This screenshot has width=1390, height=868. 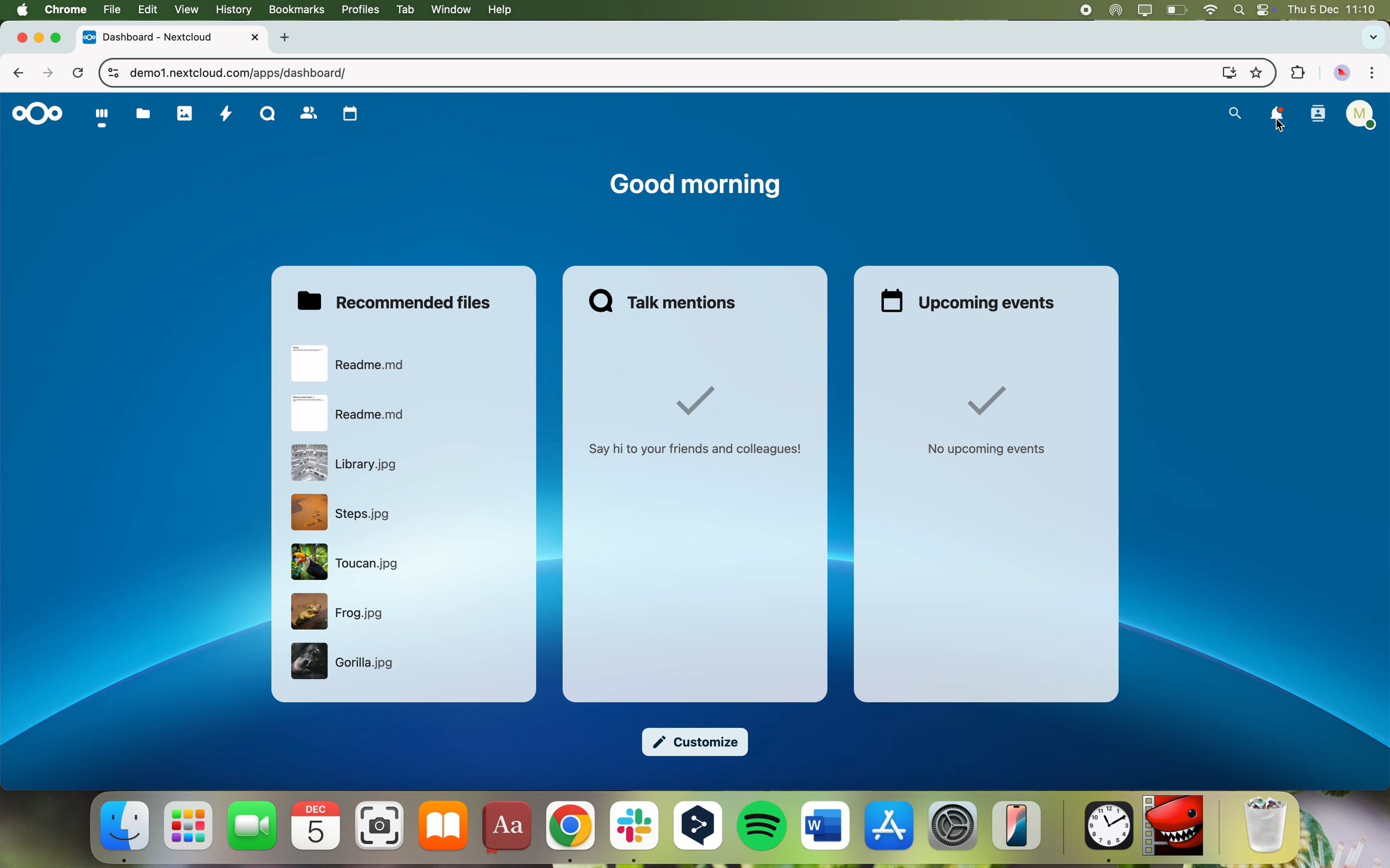 What do you see at coordinates (110, 10) in the screenshot?
I see `file` at bounding box center [110, 10].